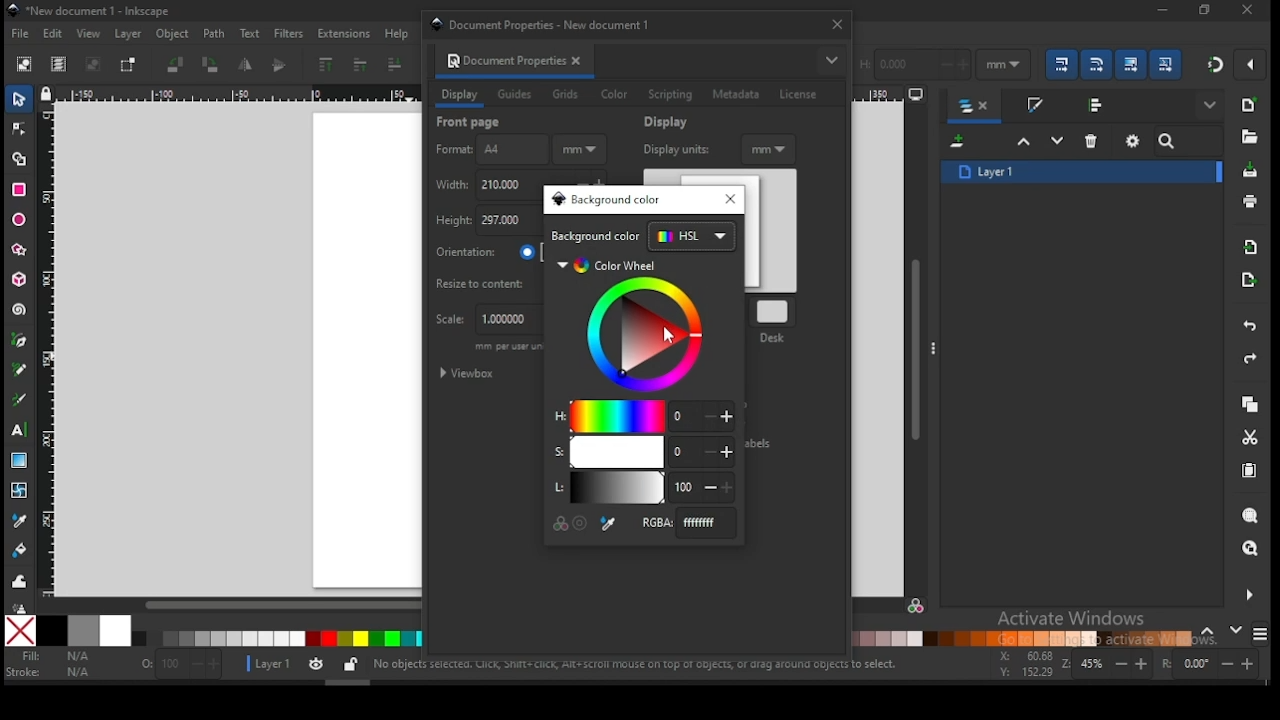  What do you see at coordinates (21, 491) in the screenshot?
I see `mesh tool` at bounding box center [21, 491].